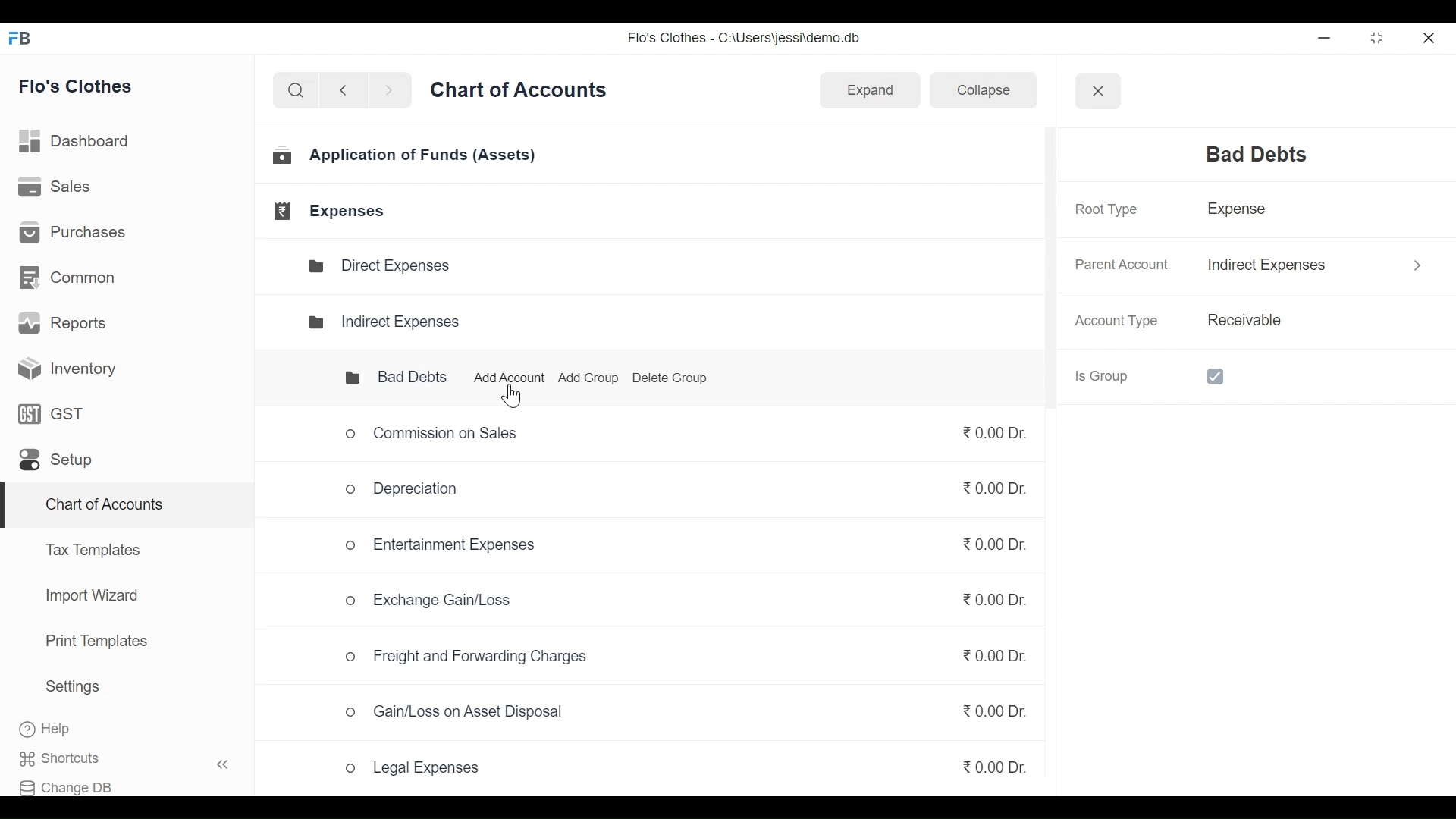 Image resolution: width=1456 pixels, height=819 pixels. What do you see at coordinates (1270, 265) in the screenshot?
I see `Indirect Expenses` at bounding box center [1270, 265].